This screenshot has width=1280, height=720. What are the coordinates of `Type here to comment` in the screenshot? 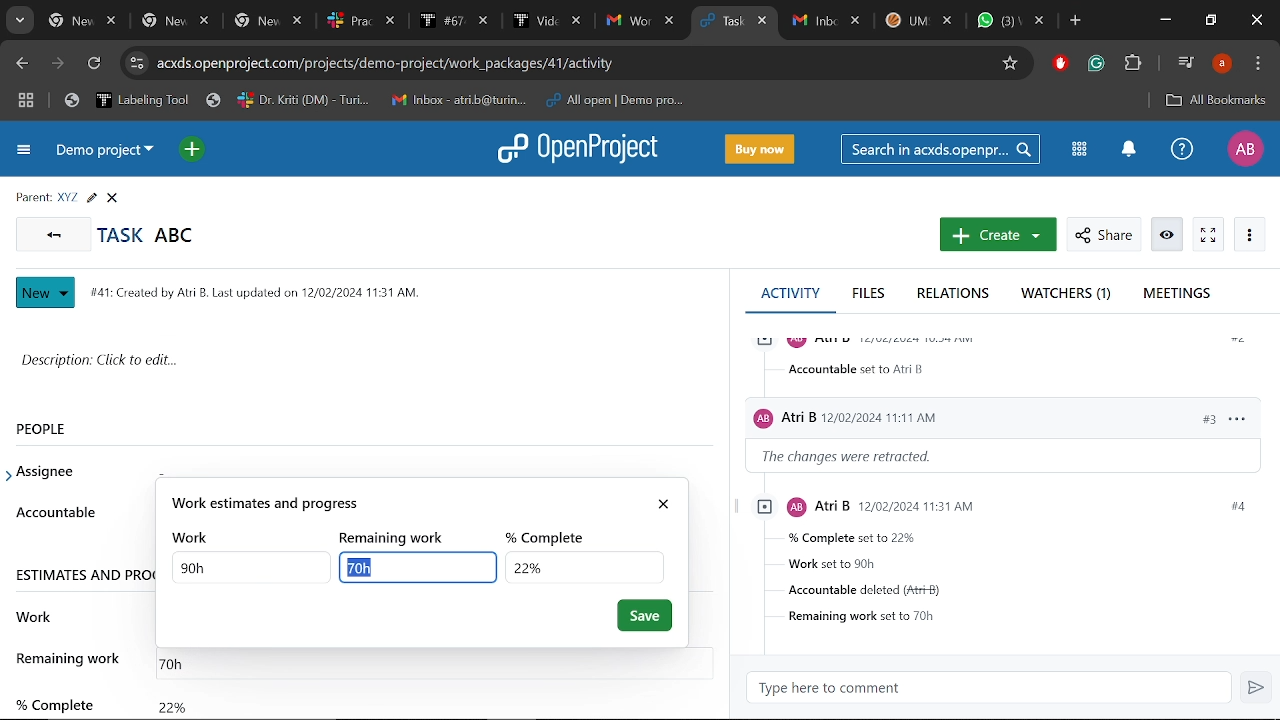 It's located at (995, 688).